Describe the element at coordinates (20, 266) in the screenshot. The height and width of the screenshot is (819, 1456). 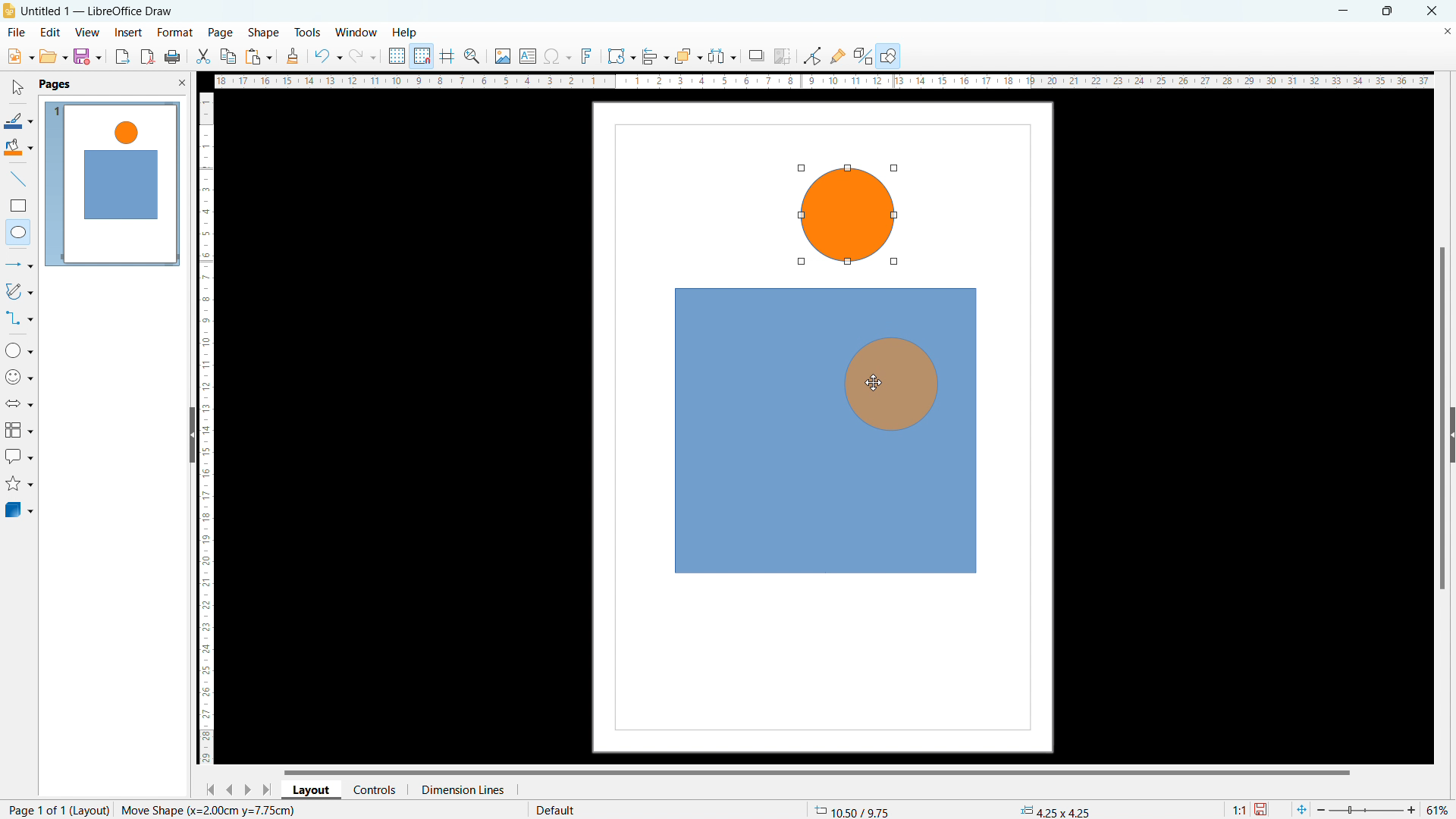
I see `lines and arrows` at that location.